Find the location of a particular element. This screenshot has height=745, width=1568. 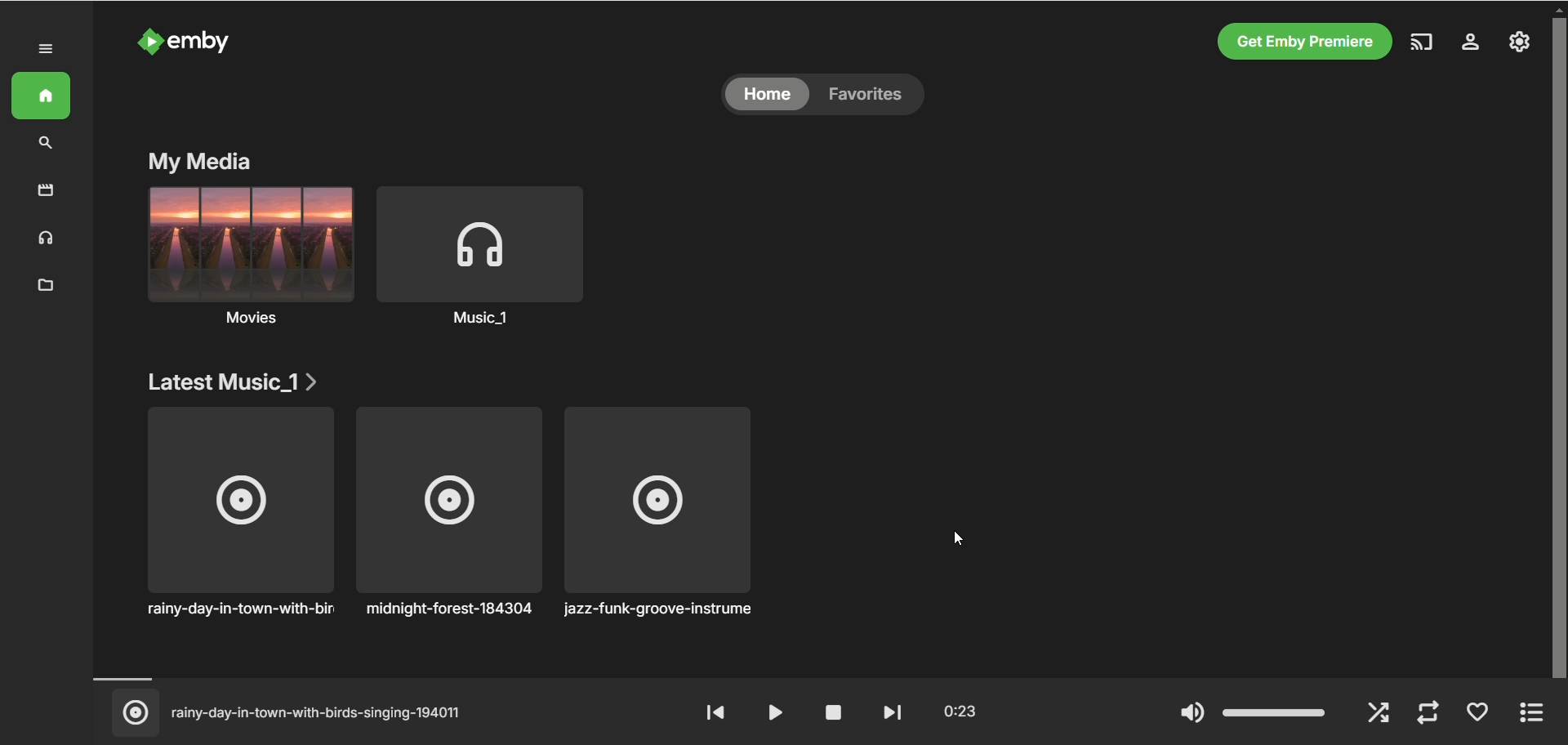

folder is located at coordinates (46, 285).